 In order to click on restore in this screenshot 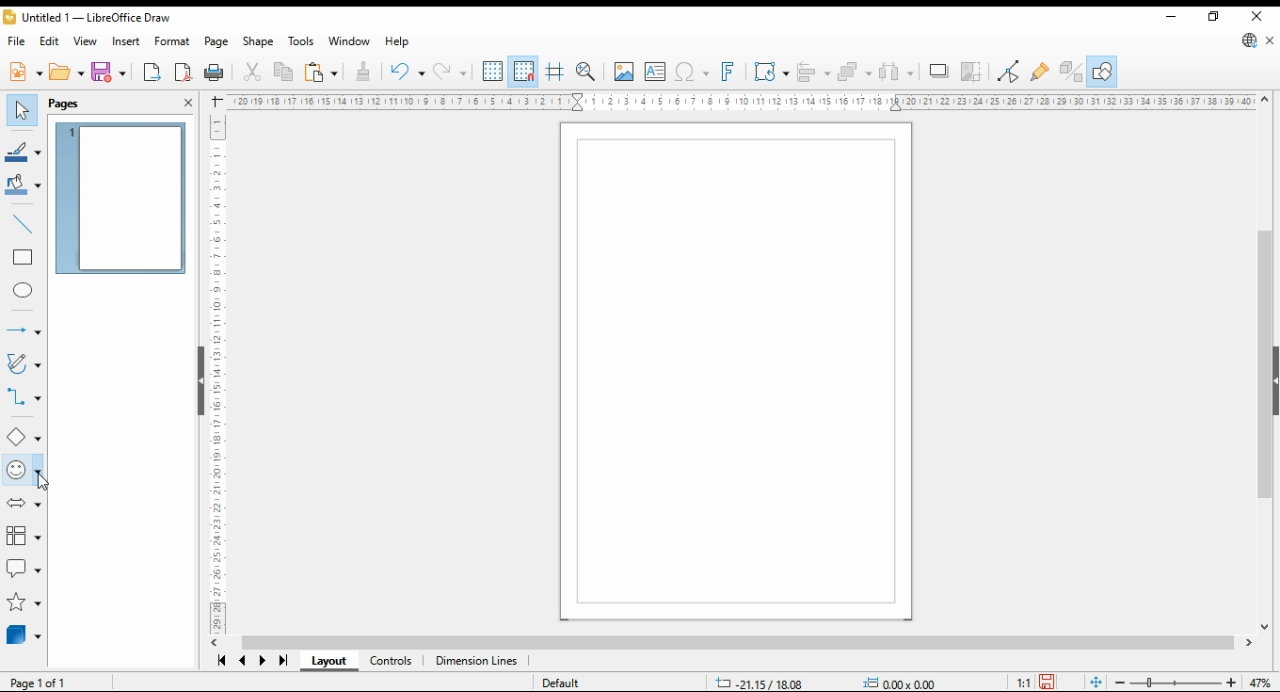, I will do `click(1213, 17)`.